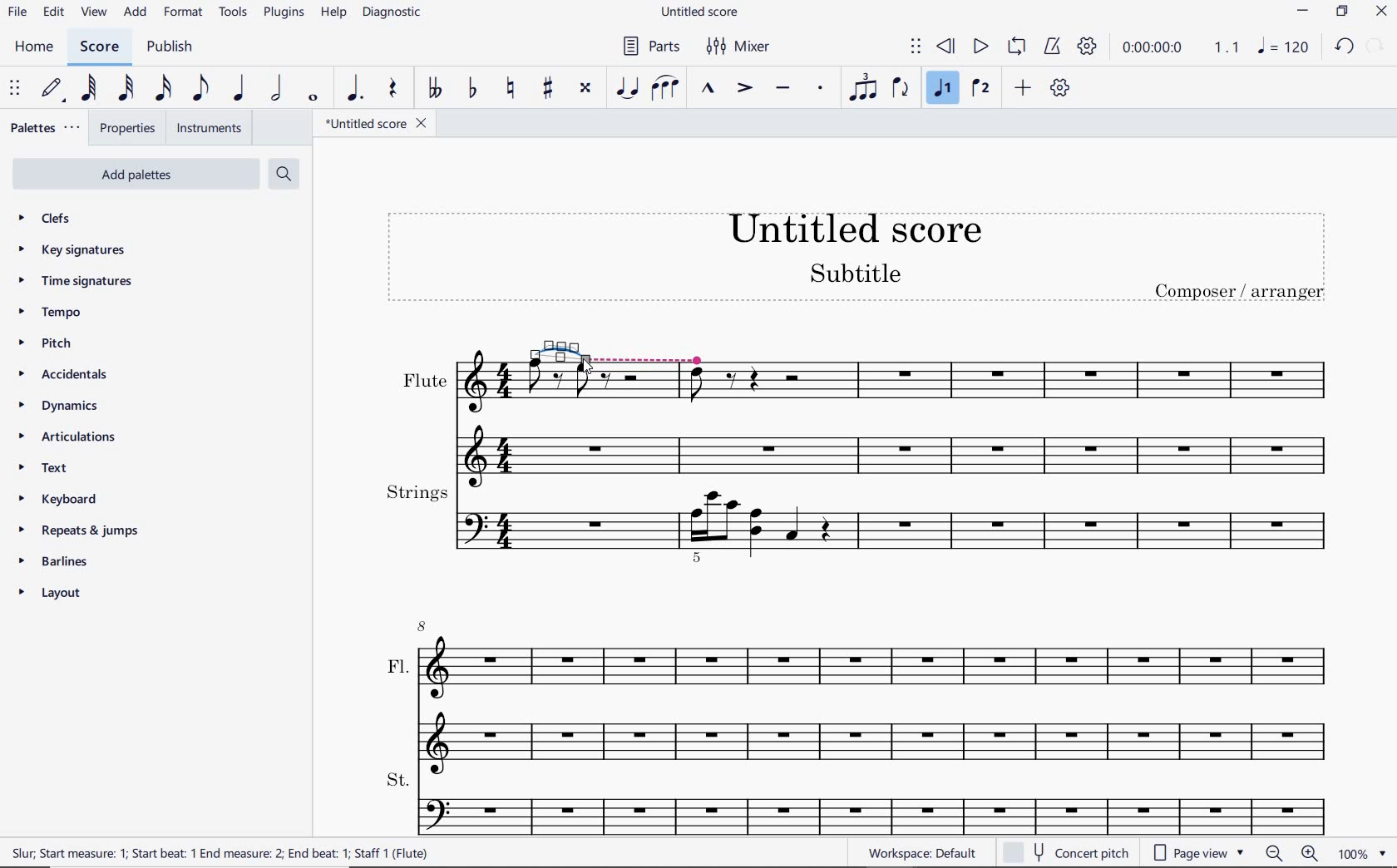  I want to click on redo, so click(1378, 47).